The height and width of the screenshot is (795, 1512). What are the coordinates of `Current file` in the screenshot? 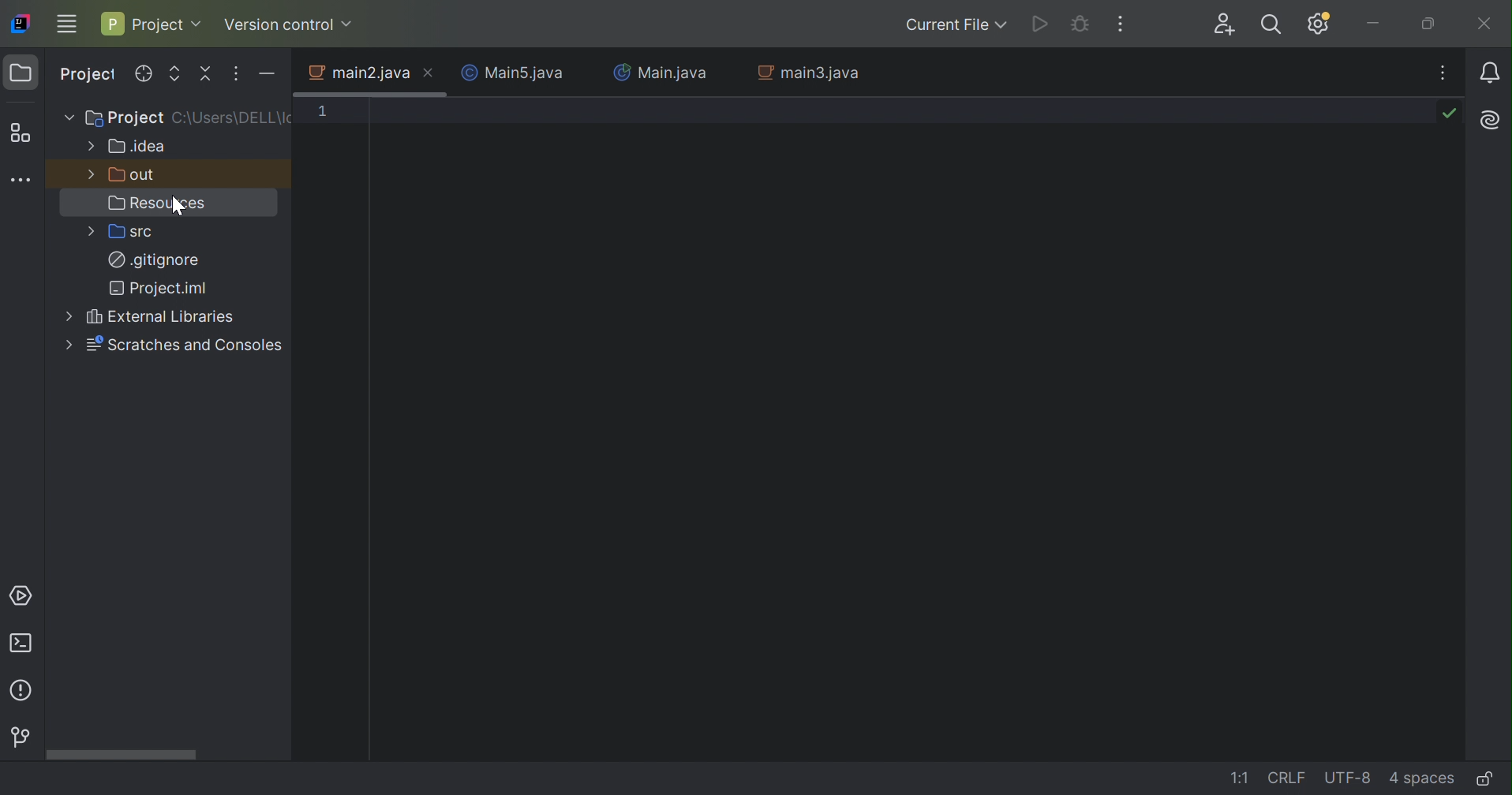 It's located at (953, 25).